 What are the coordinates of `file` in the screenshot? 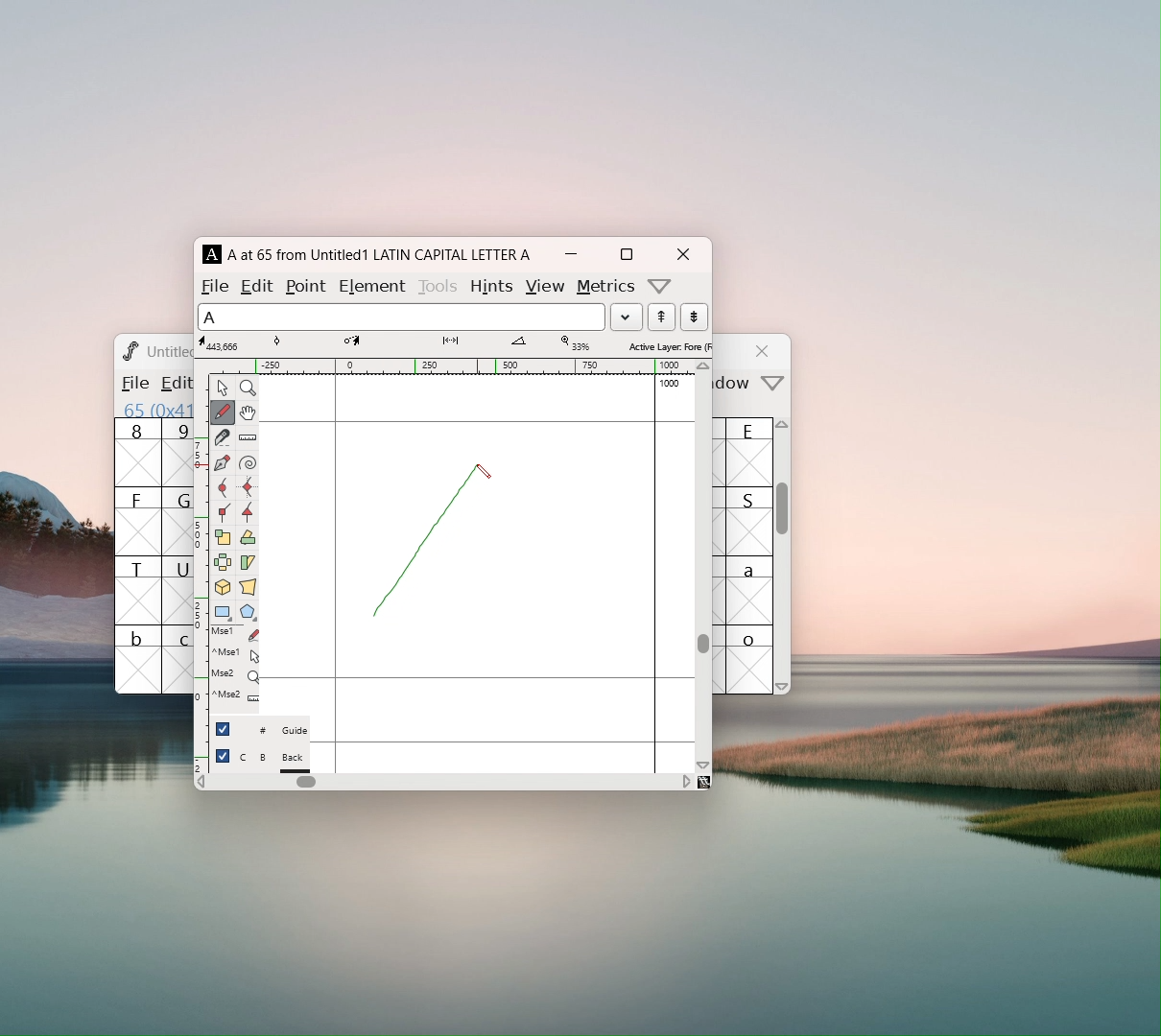 It's located at (215, 286).